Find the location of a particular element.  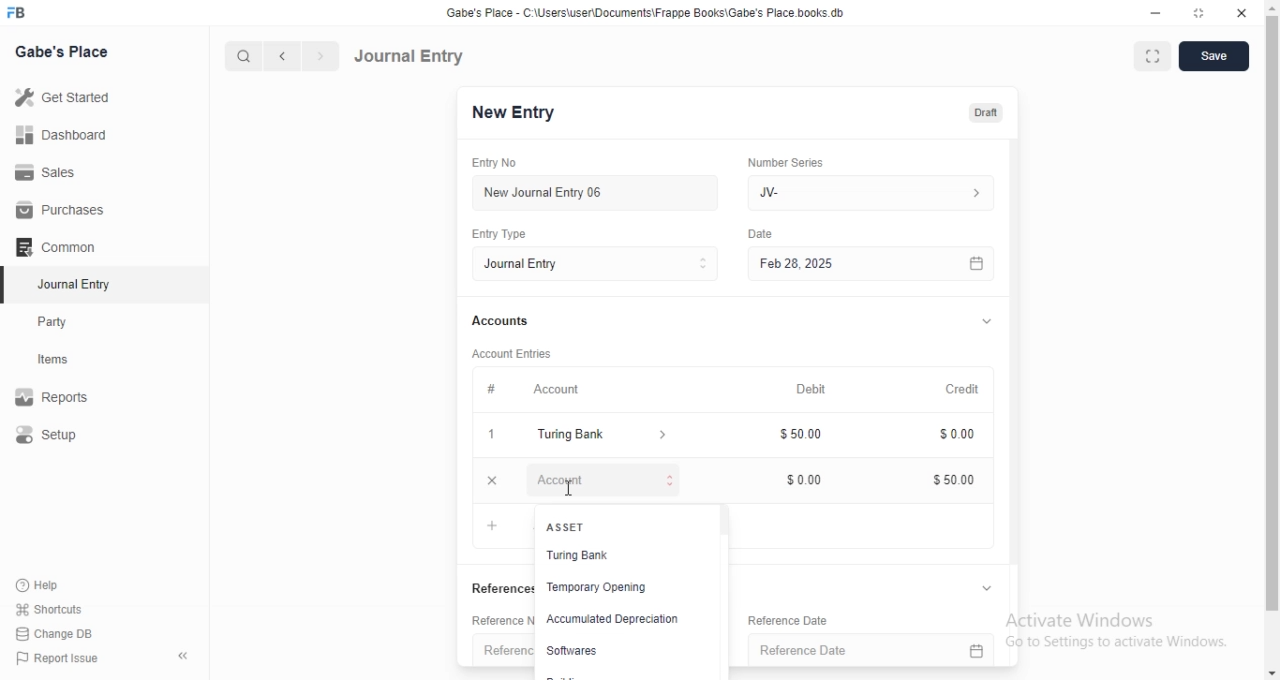

close is located at coordinates (497, 480).